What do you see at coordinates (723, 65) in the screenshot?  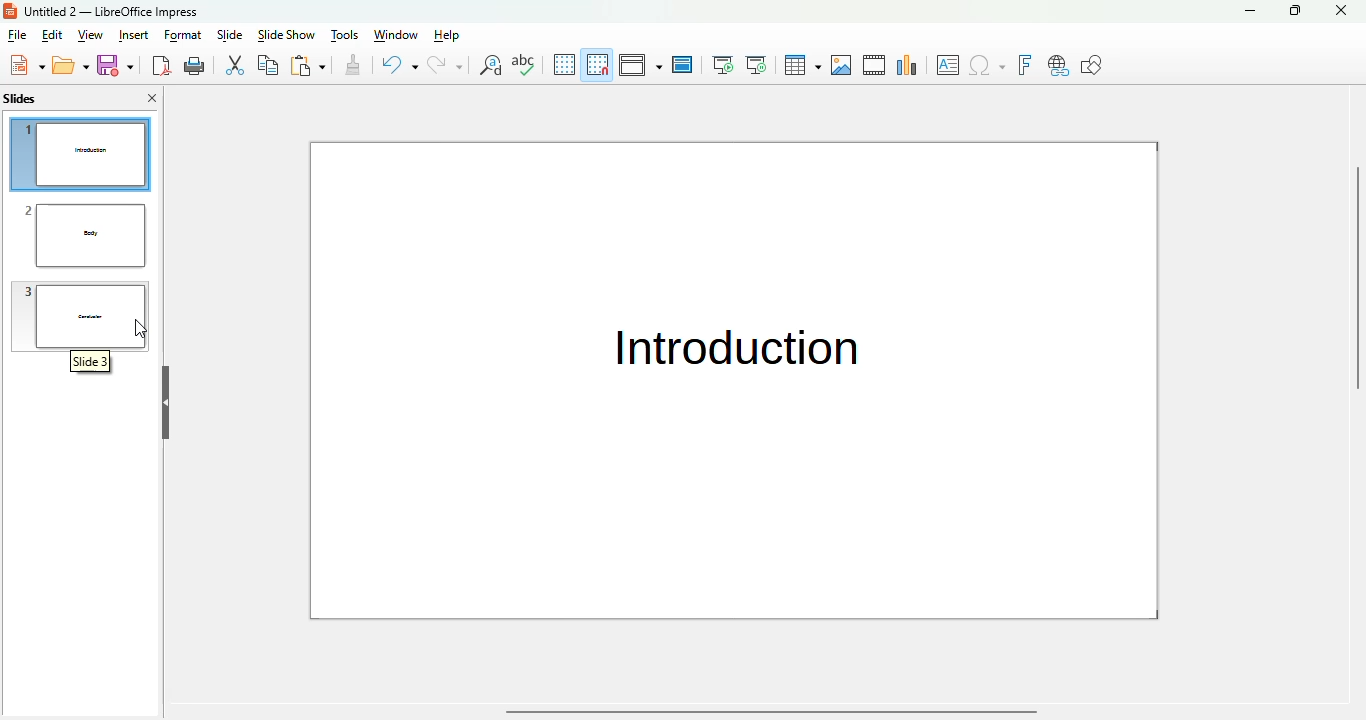 I see `start from first slide` at bounding box center [723, 65].